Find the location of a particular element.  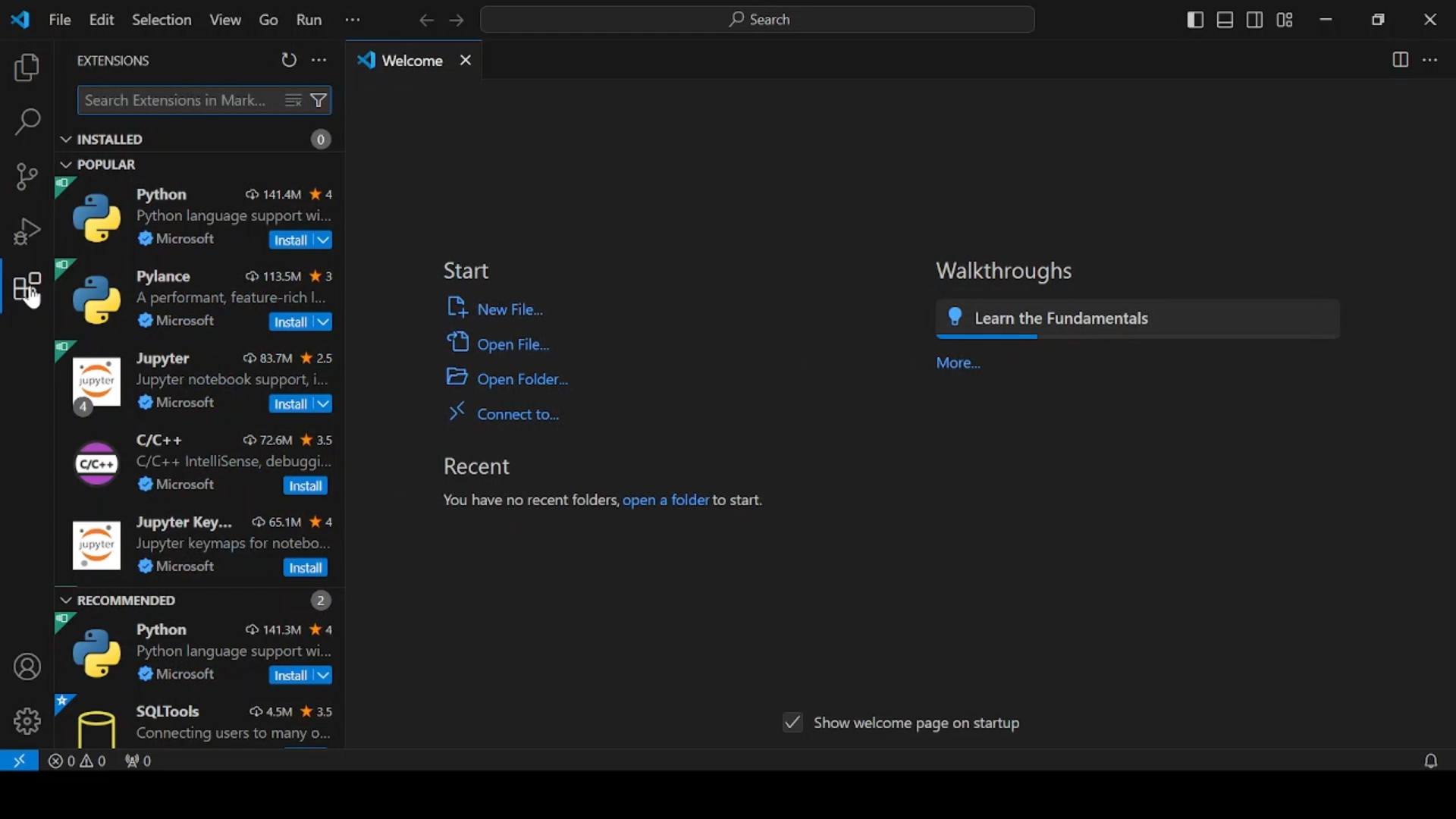

learn the fundamentals is located at coordinates (1188, 320).